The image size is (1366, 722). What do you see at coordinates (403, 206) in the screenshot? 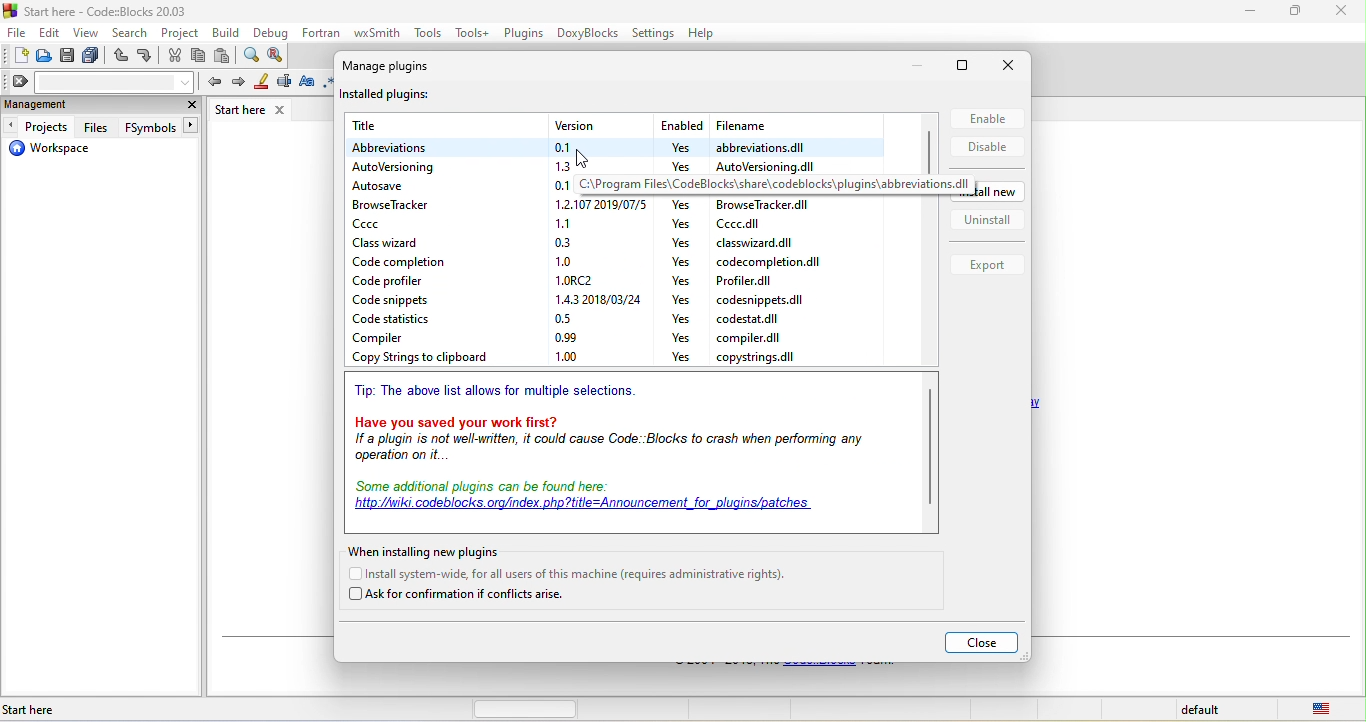
I see `browse tracker` at bounding box center [403, 206].